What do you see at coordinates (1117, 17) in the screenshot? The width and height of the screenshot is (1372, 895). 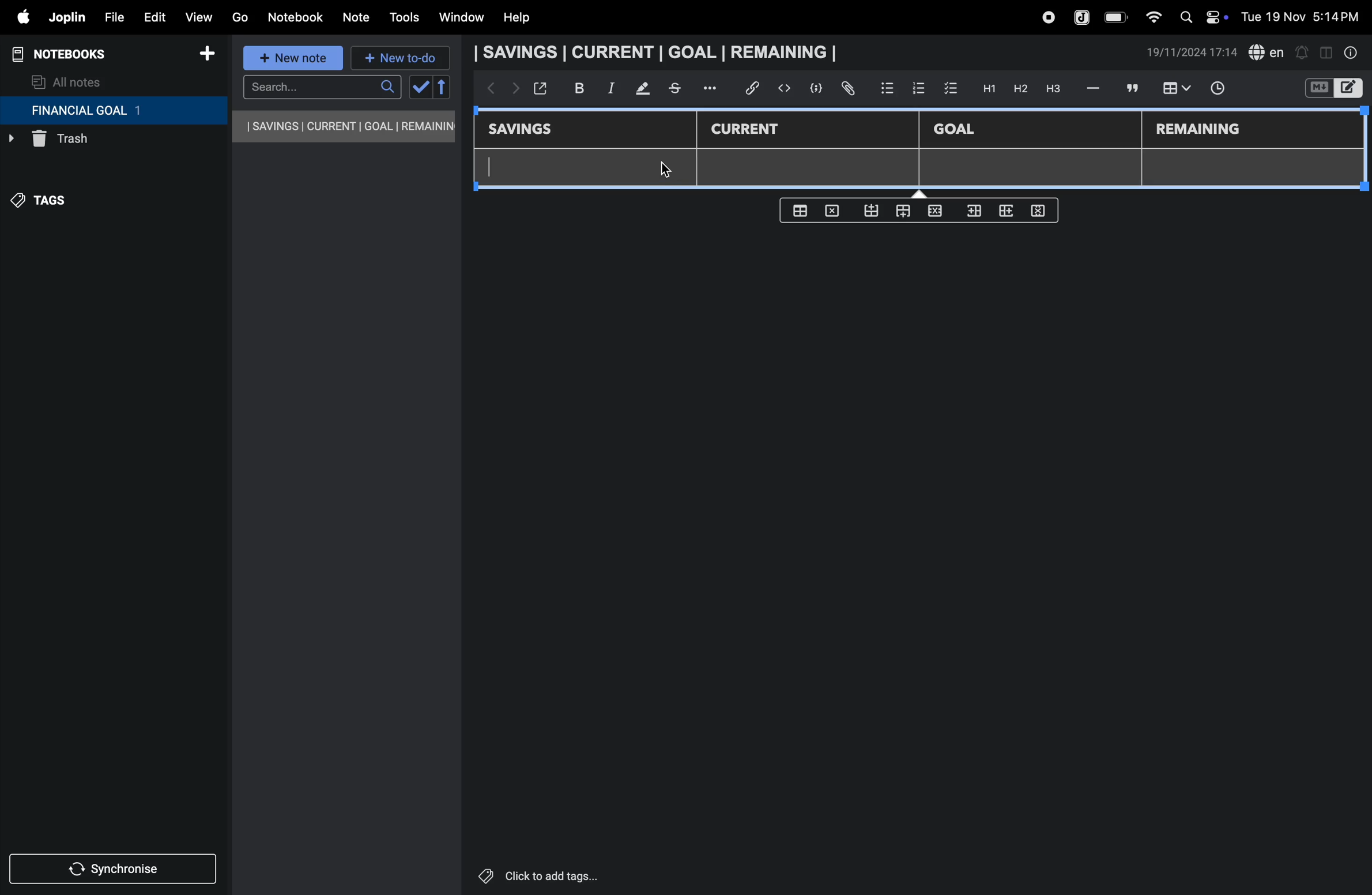 I see `battery` at bounding box center [1117, 17].